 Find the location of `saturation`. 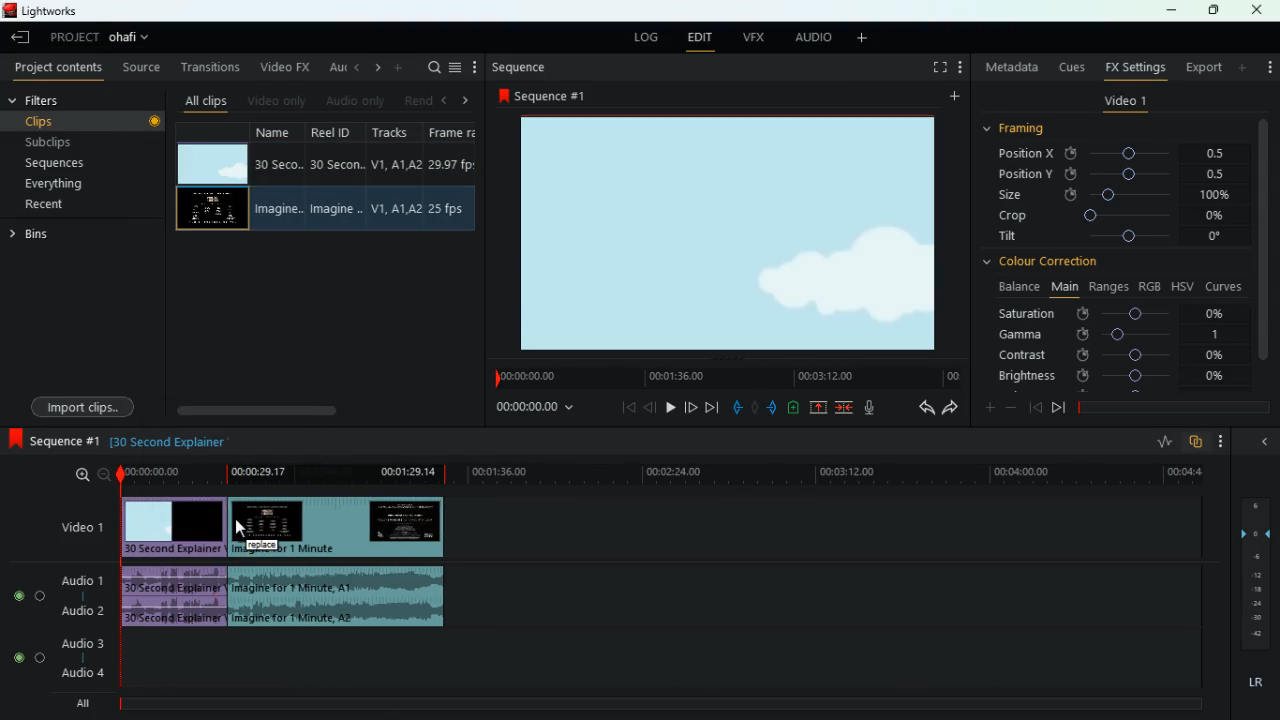

saturation is located at coordinates (1116, 313).